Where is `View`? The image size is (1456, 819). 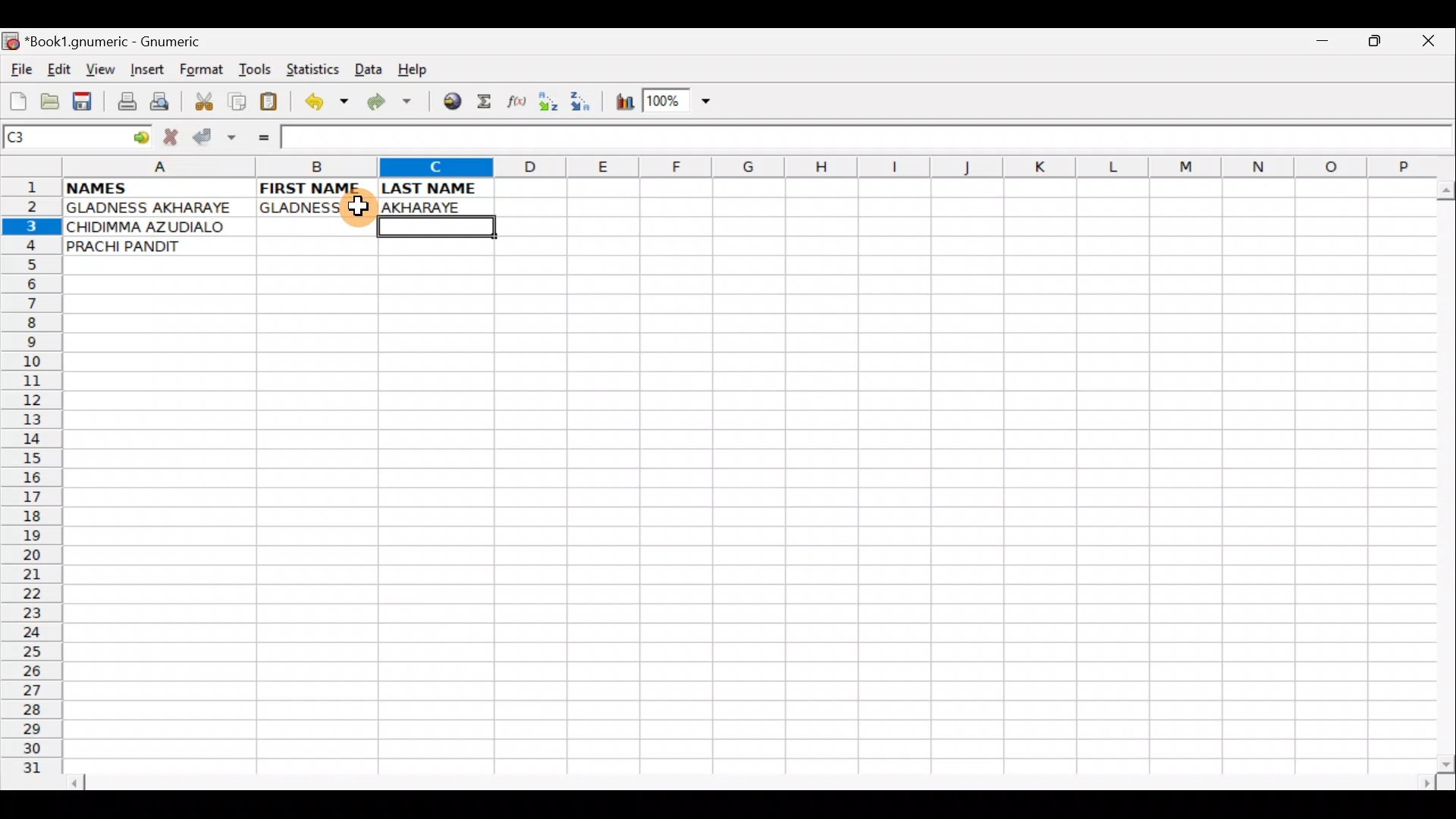
View is located at coordinates (96, 69).